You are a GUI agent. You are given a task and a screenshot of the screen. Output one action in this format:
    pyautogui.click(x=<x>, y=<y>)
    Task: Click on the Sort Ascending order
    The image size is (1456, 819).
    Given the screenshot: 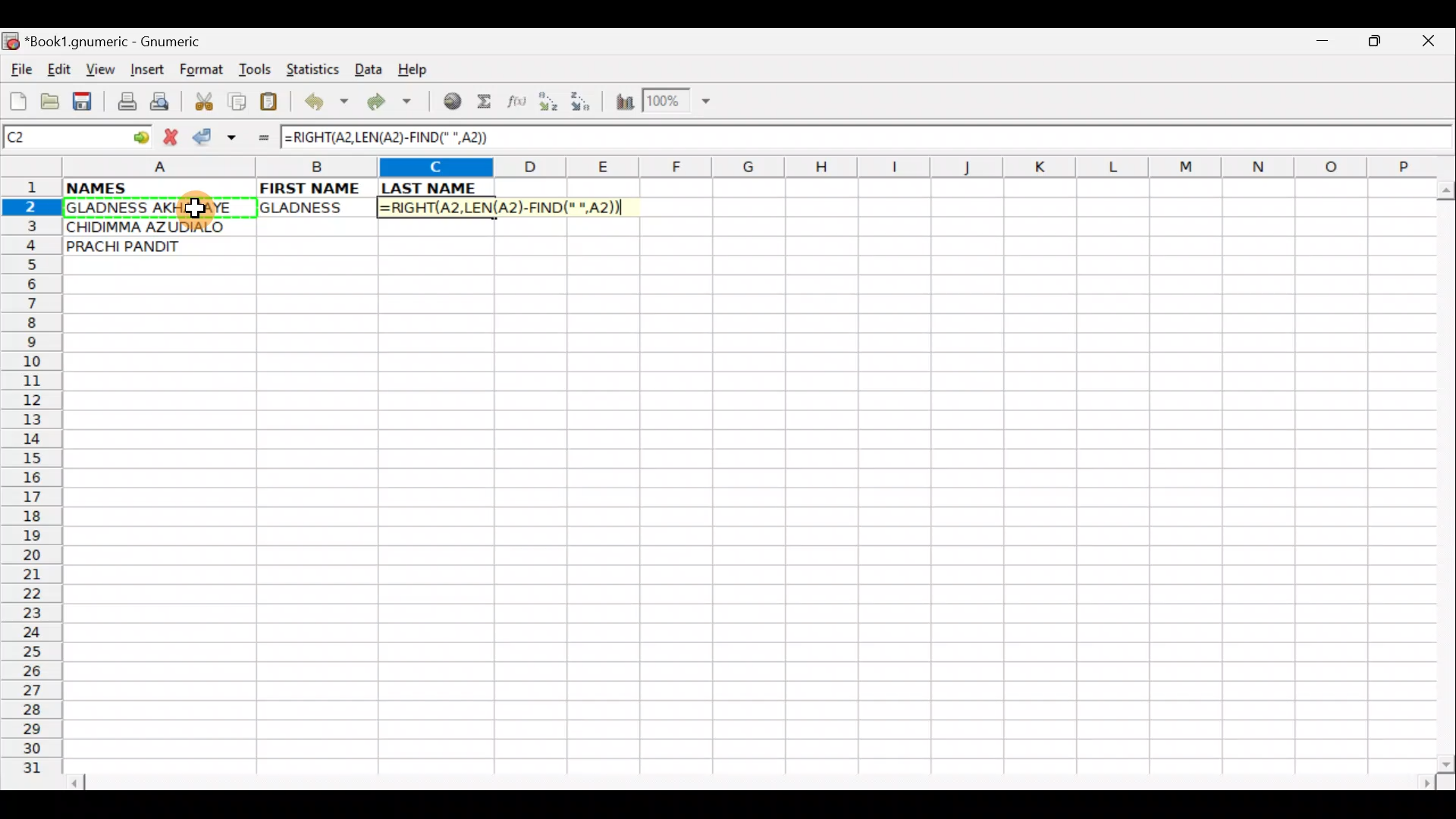 What is the action you would take?
    pyautogui.click(x=553, y=105)
    